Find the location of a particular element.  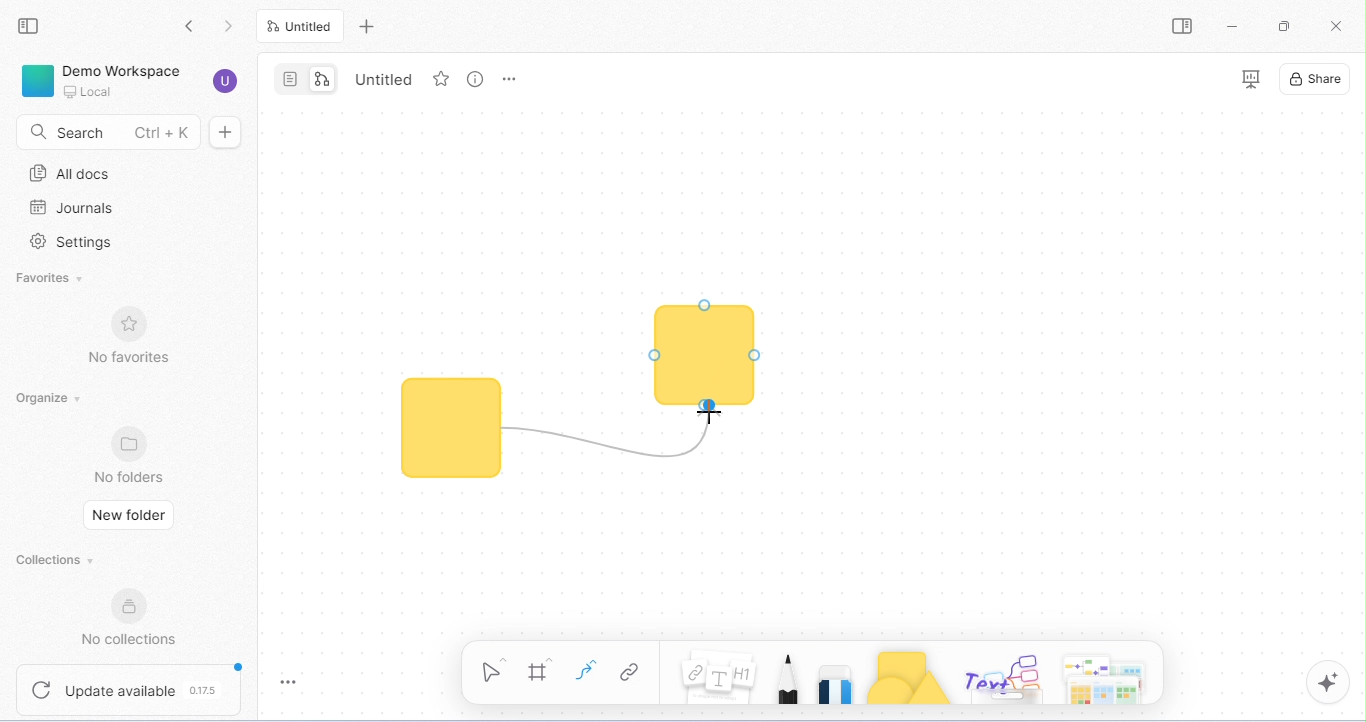

rename and more is located at coordinates (508, 78).